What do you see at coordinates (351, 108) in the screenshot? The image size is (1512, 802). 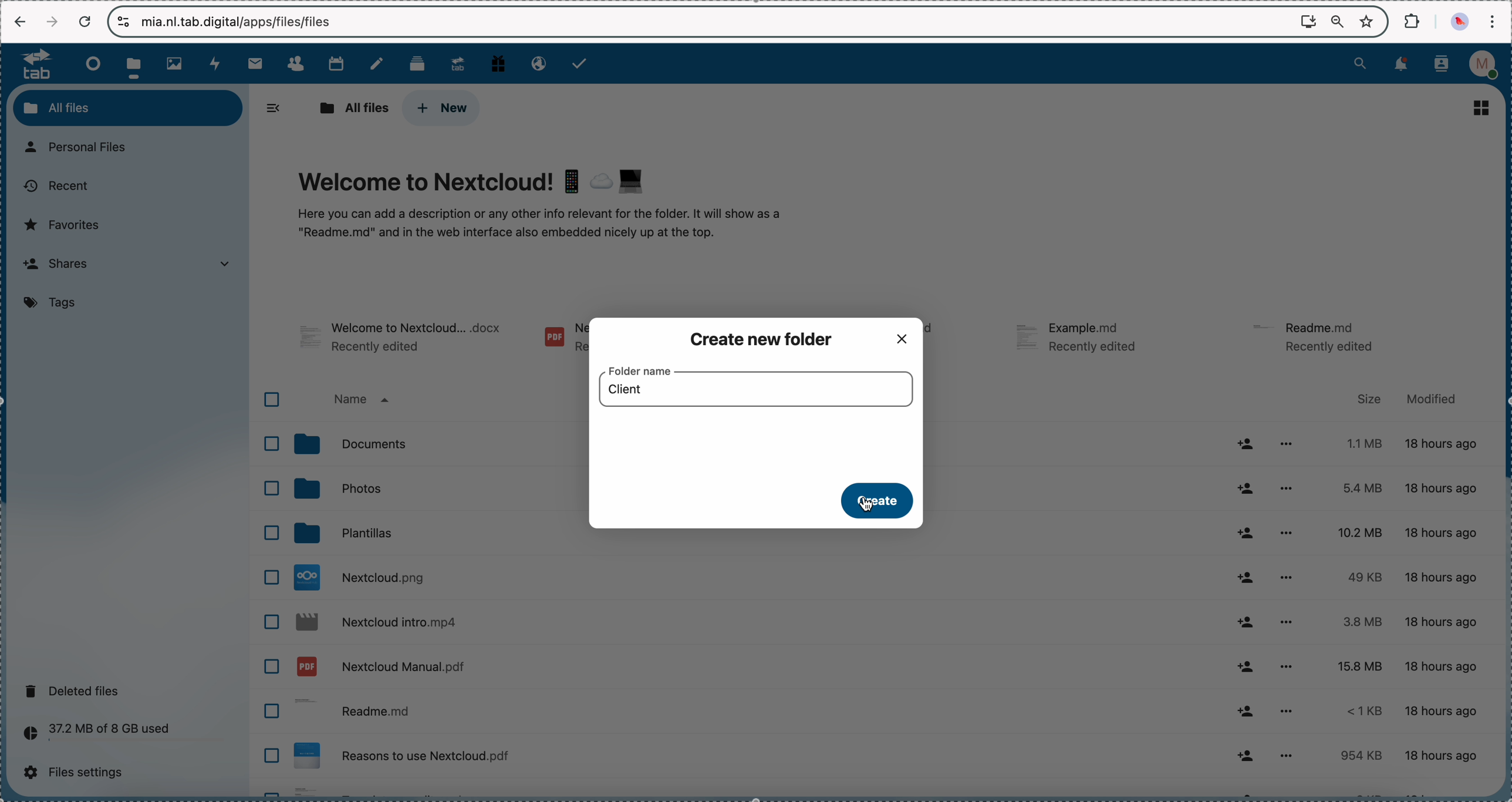 I see `all files` at bounding box center [351, 108].